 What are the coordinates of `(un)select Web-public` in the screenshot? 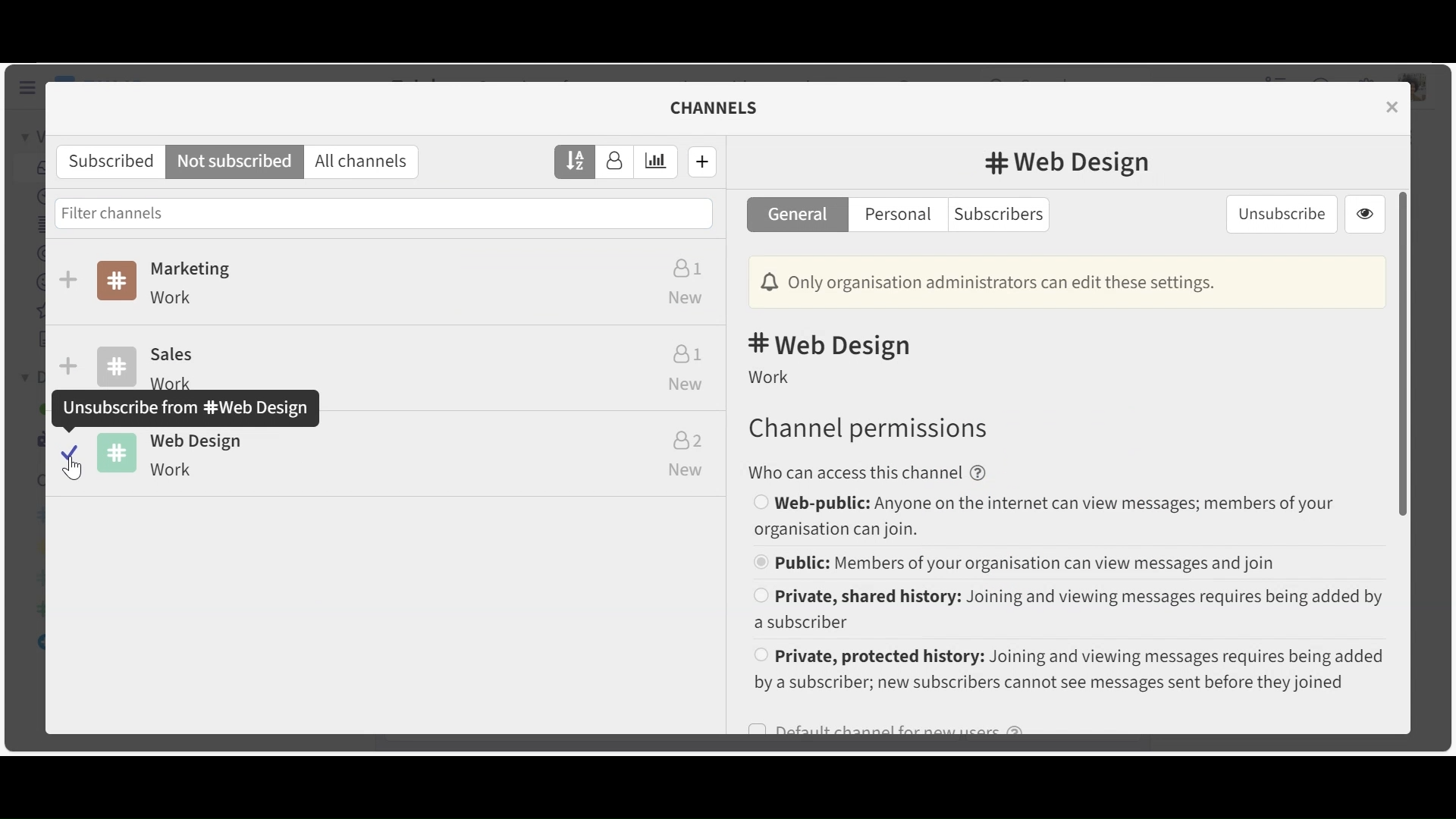 It's located at (1063, 518).